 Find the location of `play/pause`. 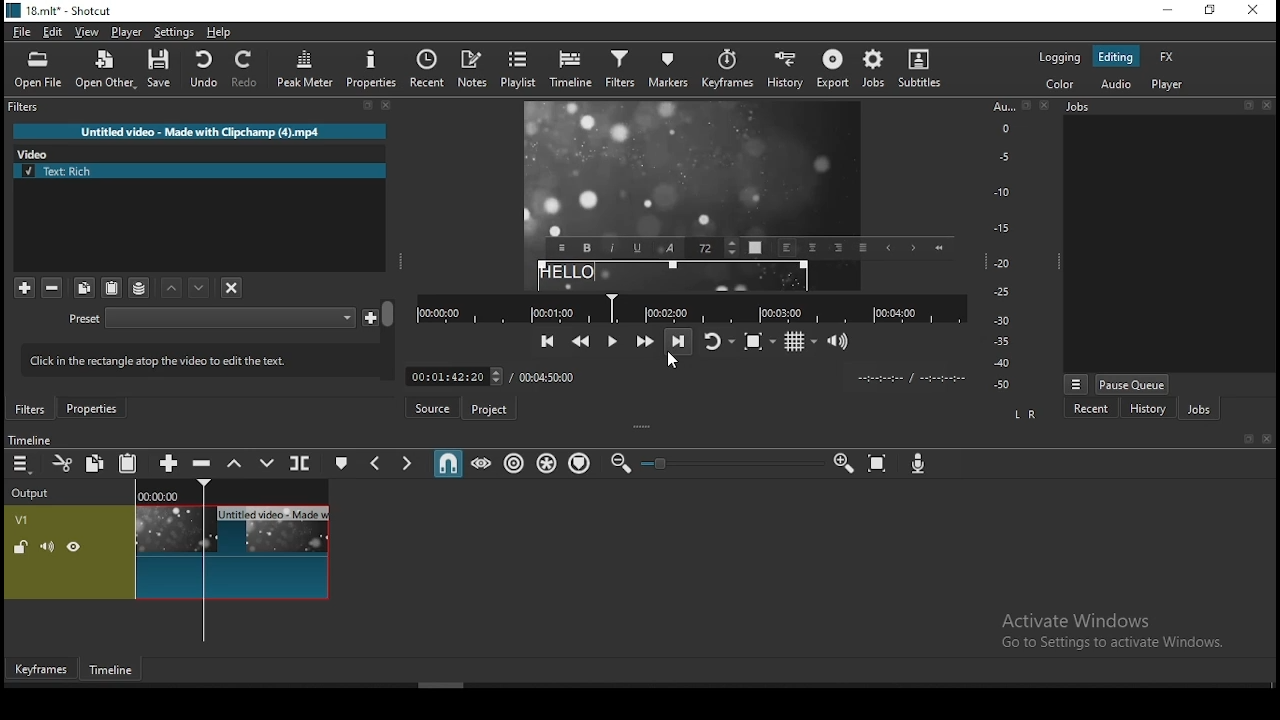

play/pause is located at coordinates (614, 342).